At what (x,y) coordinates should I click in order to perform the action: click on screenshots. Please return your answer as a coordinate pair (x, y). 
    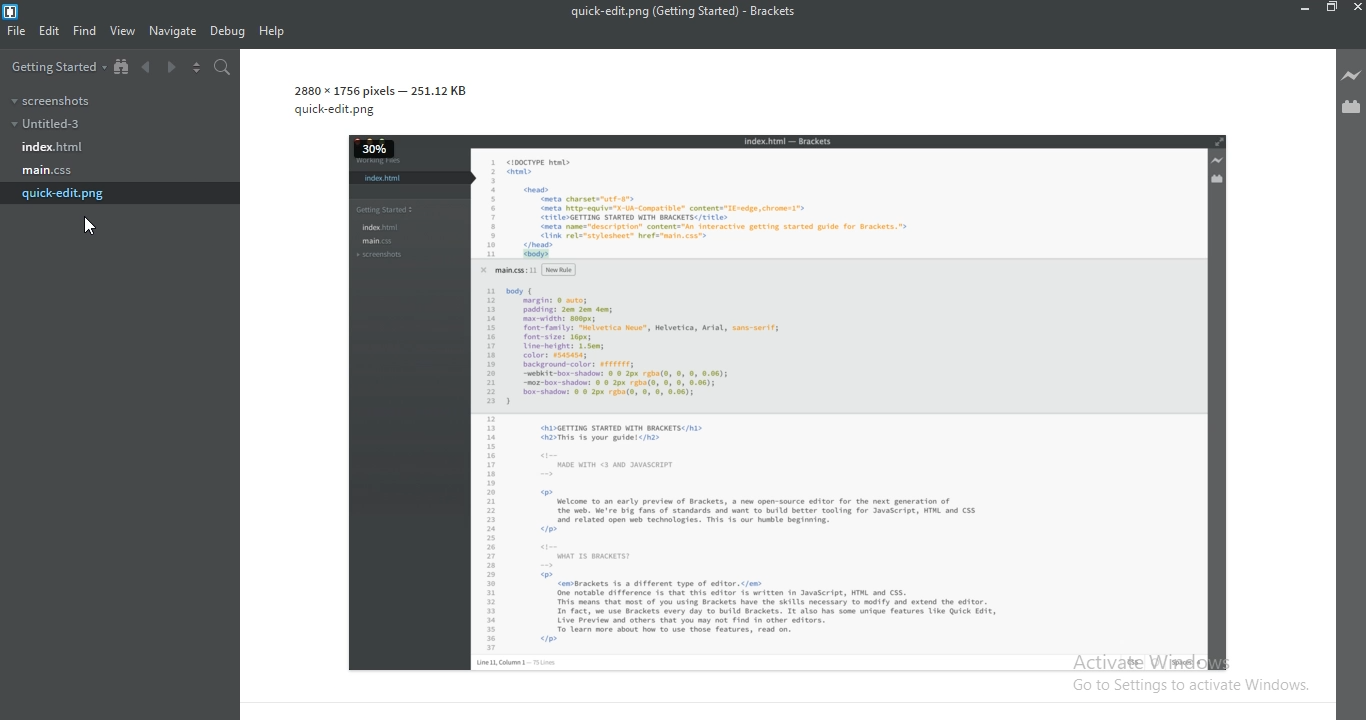
    Looking at the image, I should click on (48, 99).